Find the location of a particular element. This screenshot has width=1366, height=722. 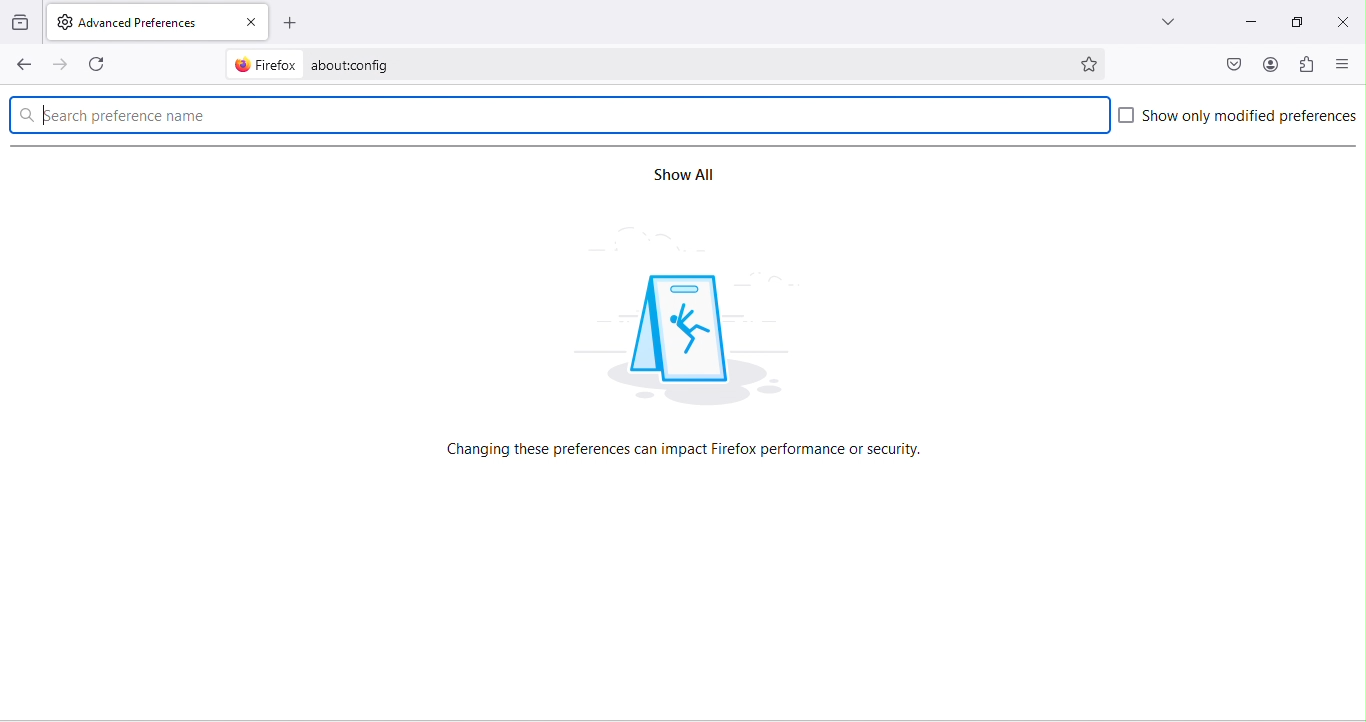

bookmark is located at coordinates (1092, 62).